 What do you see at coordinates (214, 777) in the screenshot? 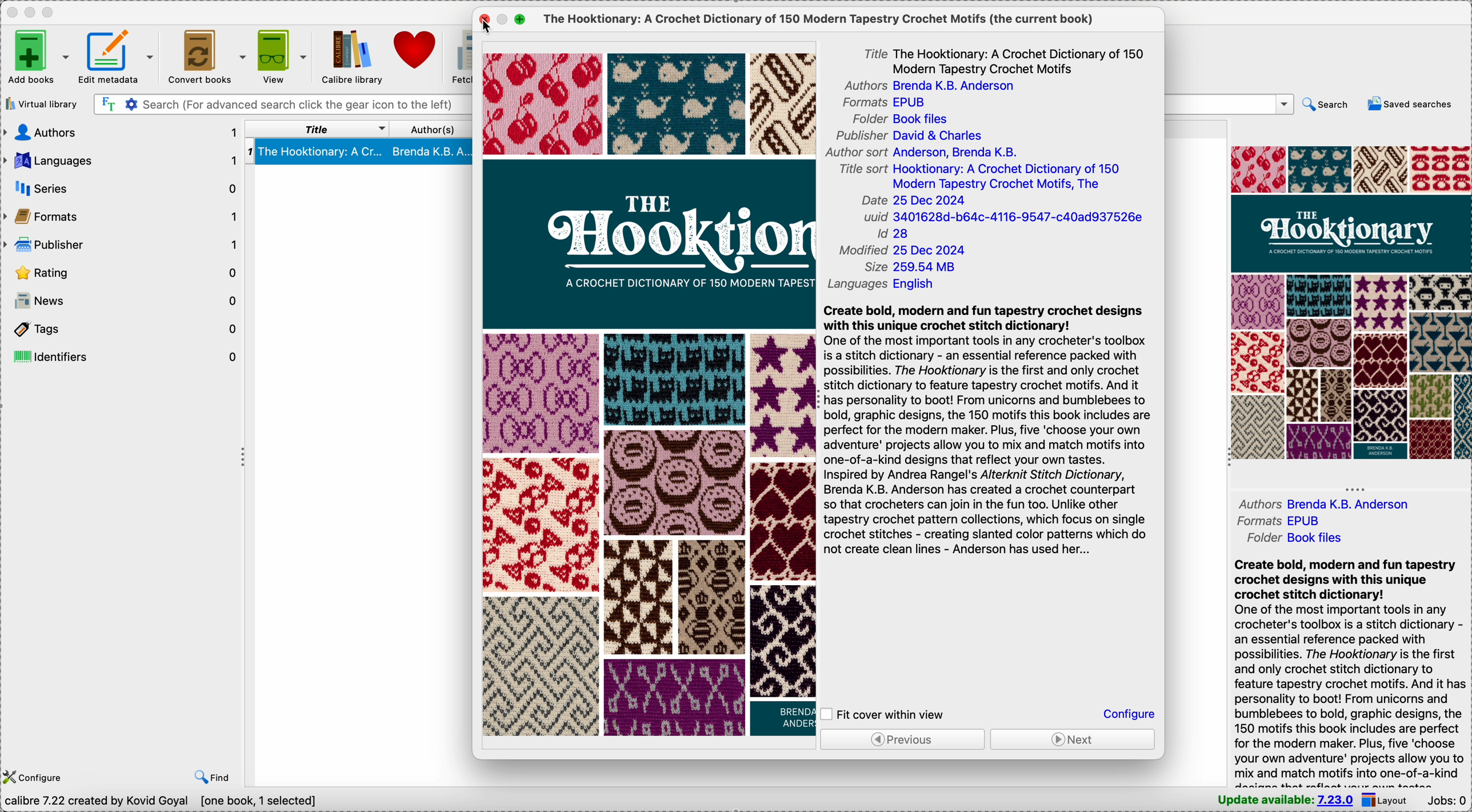
I see `find` at bounding box center [214, 777].